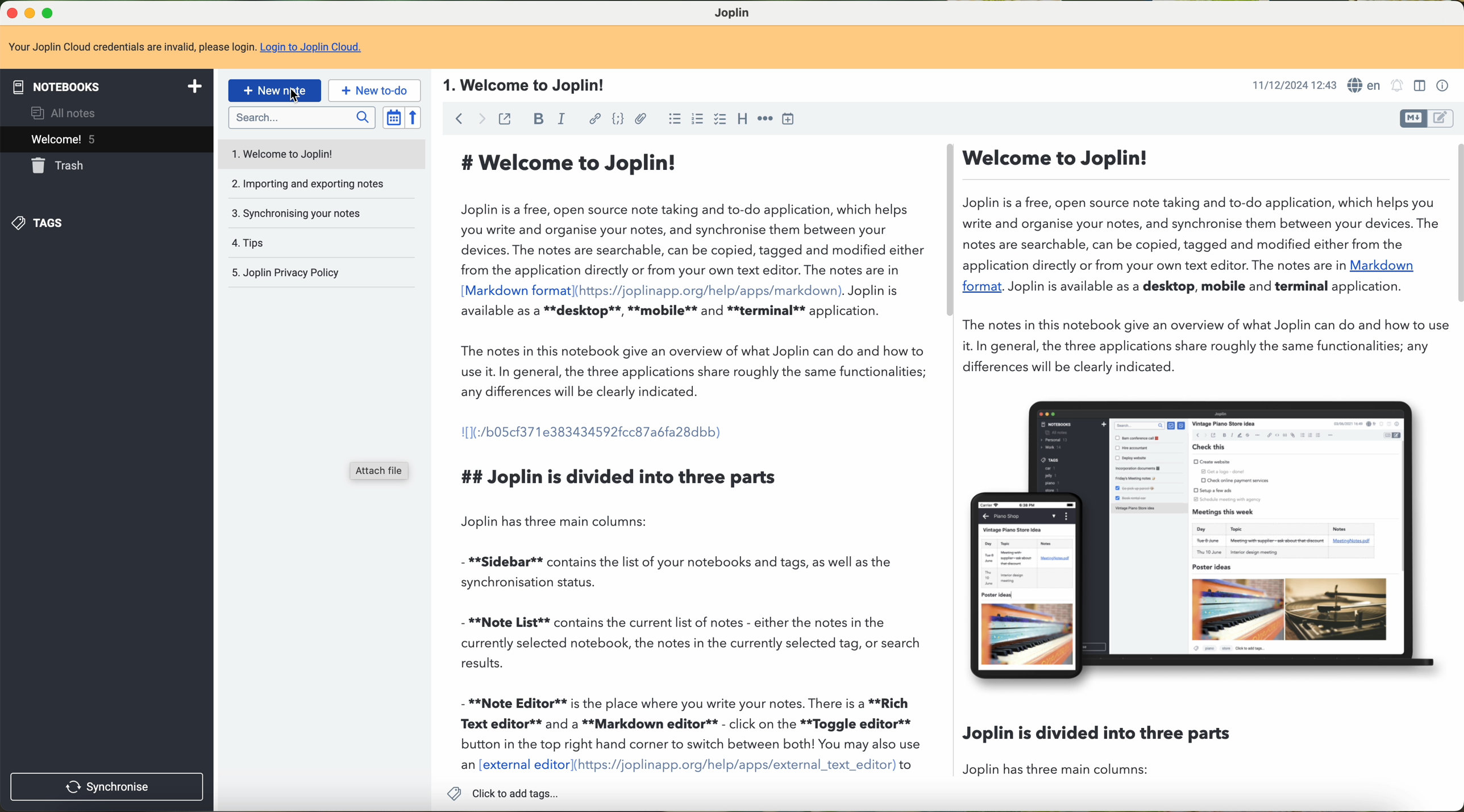 The image size is (1464, 812). What do you see at coordinates (190, 48) in the screenshot?
I see `Your Joplin Cloud credentials are invalid, please login. Login to Joplin Cloud` at bounding box center [190, 48].